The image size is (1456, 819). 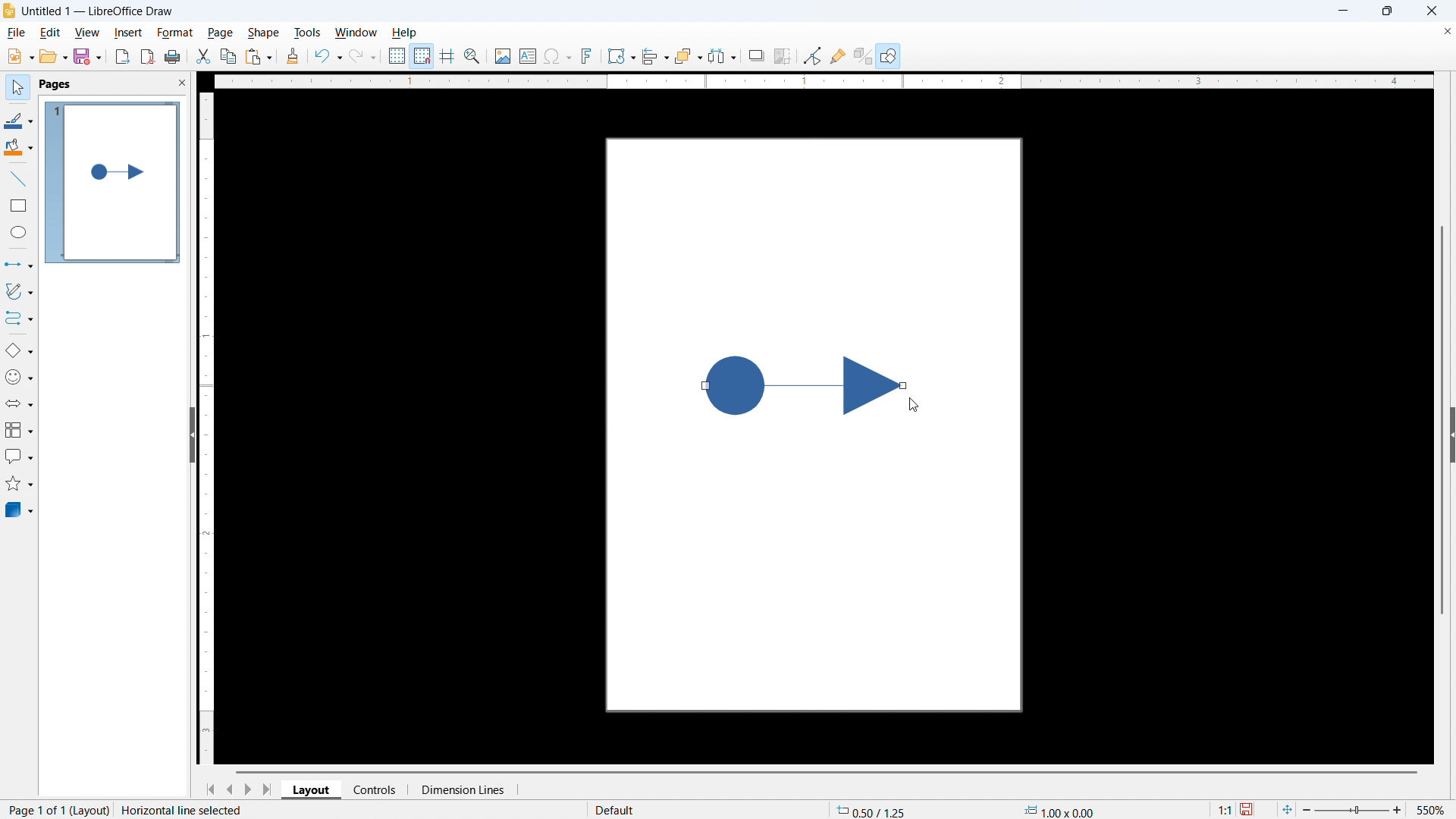 What do you see at coordinates (329, 57) in the screenshot?
I see `Undo ` at bounding box center [329, 57].